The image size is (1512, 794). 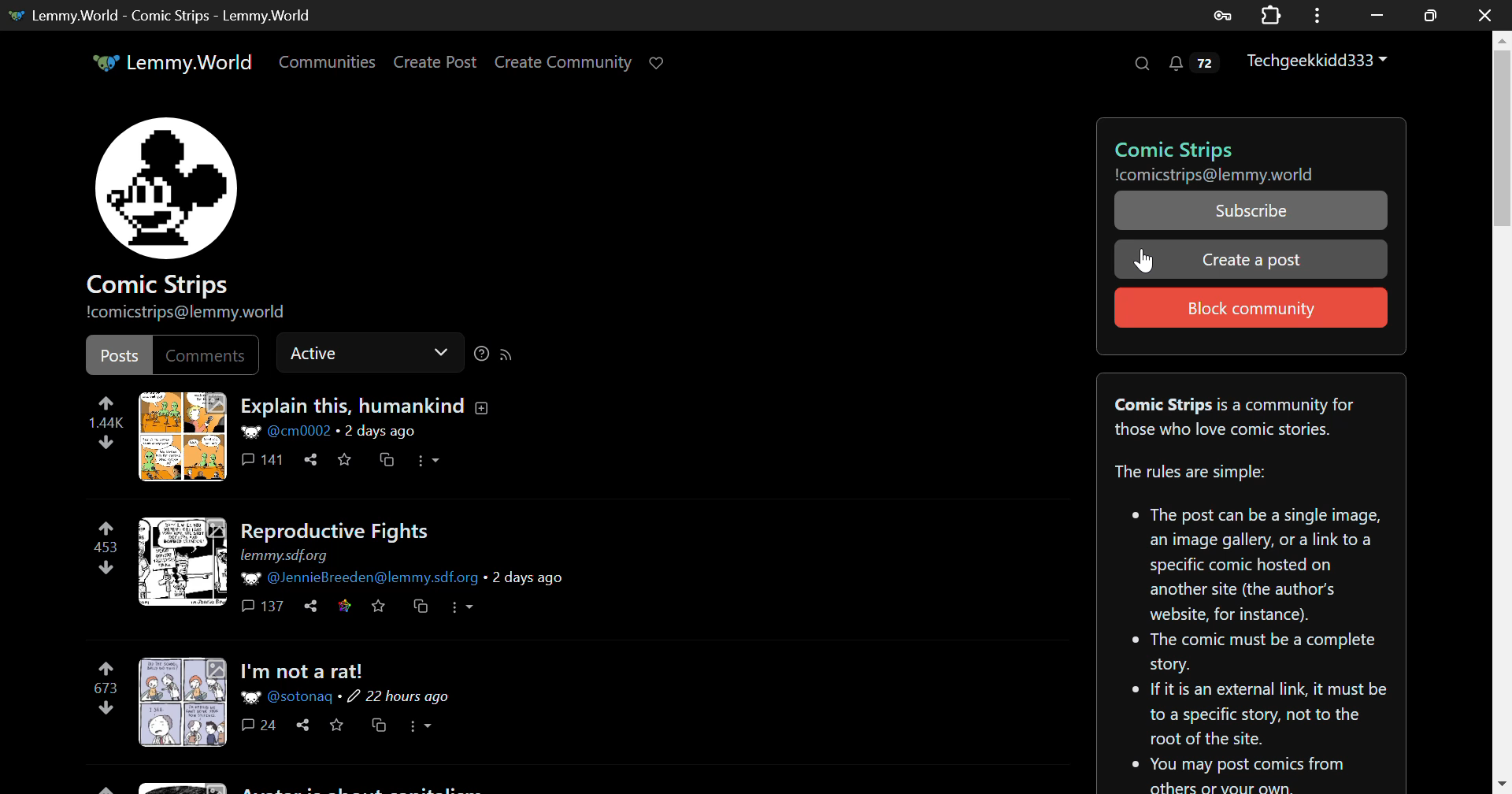 I want to click on @jennieBreeden@lemmy.sdf.org, so click(x=359, y=578).